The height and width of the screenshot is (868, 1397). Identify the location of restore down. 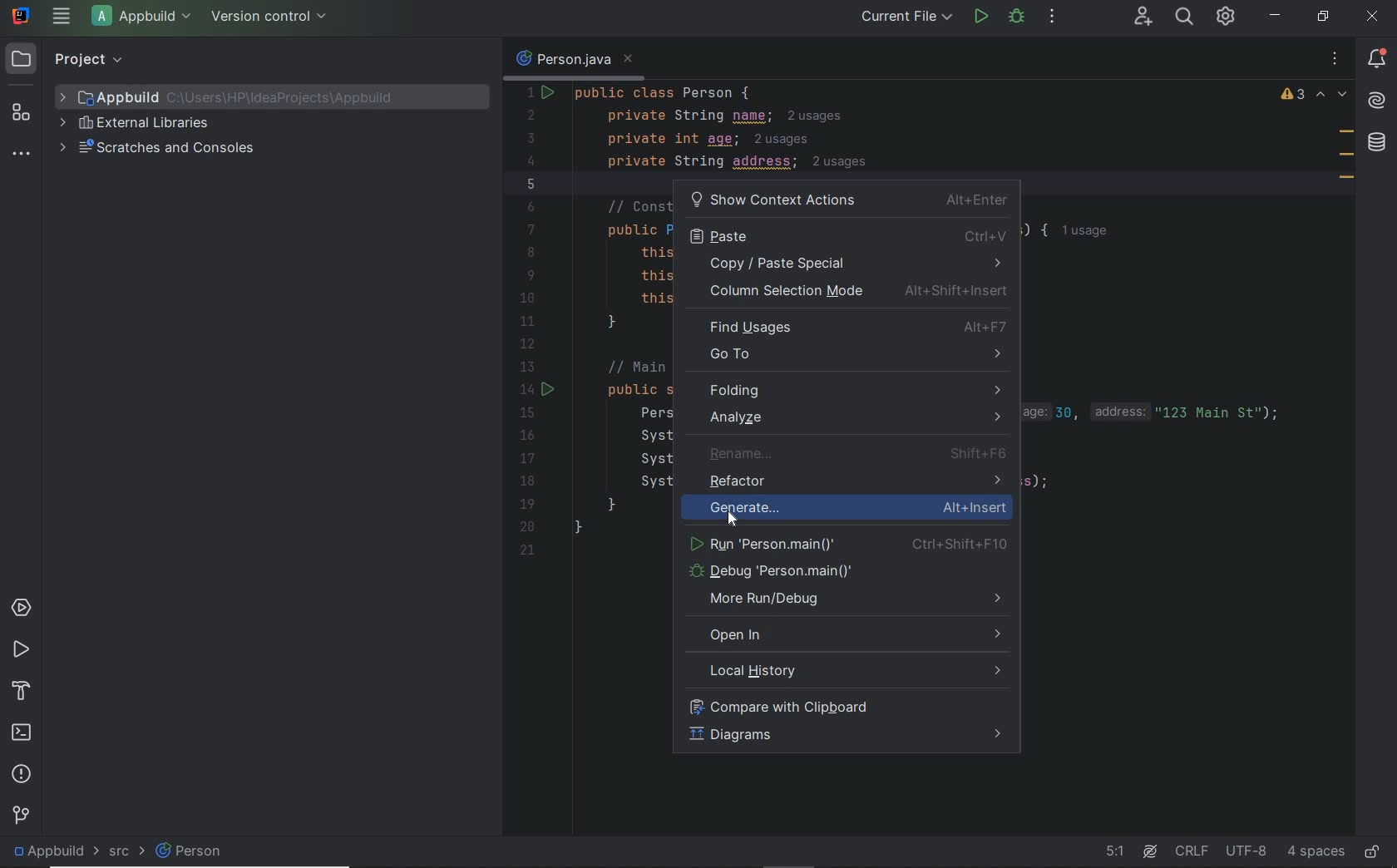
(1322, 16).